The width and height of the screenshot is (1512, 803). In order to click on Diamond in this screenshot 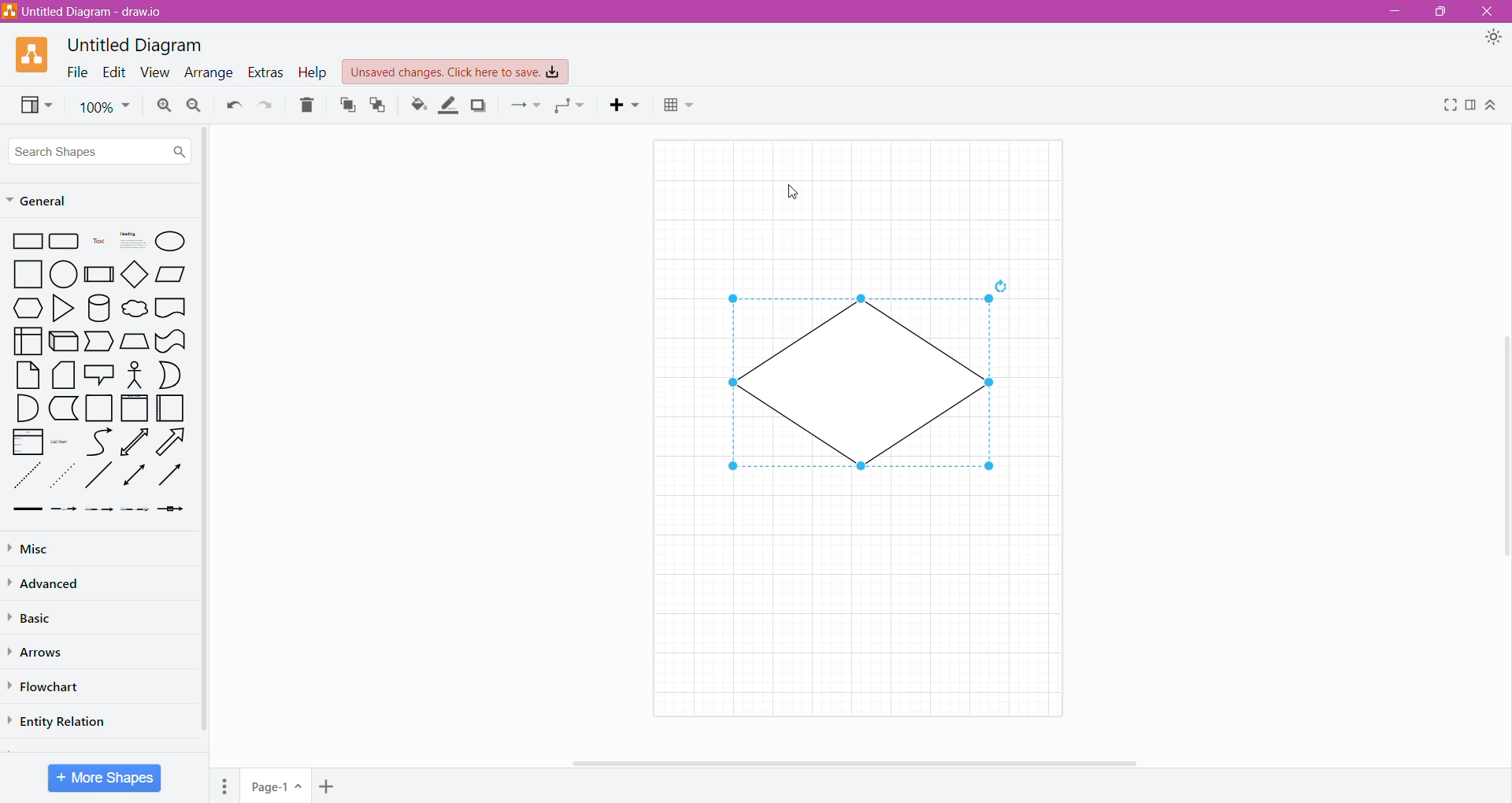, I will do `click(136, 276)`.